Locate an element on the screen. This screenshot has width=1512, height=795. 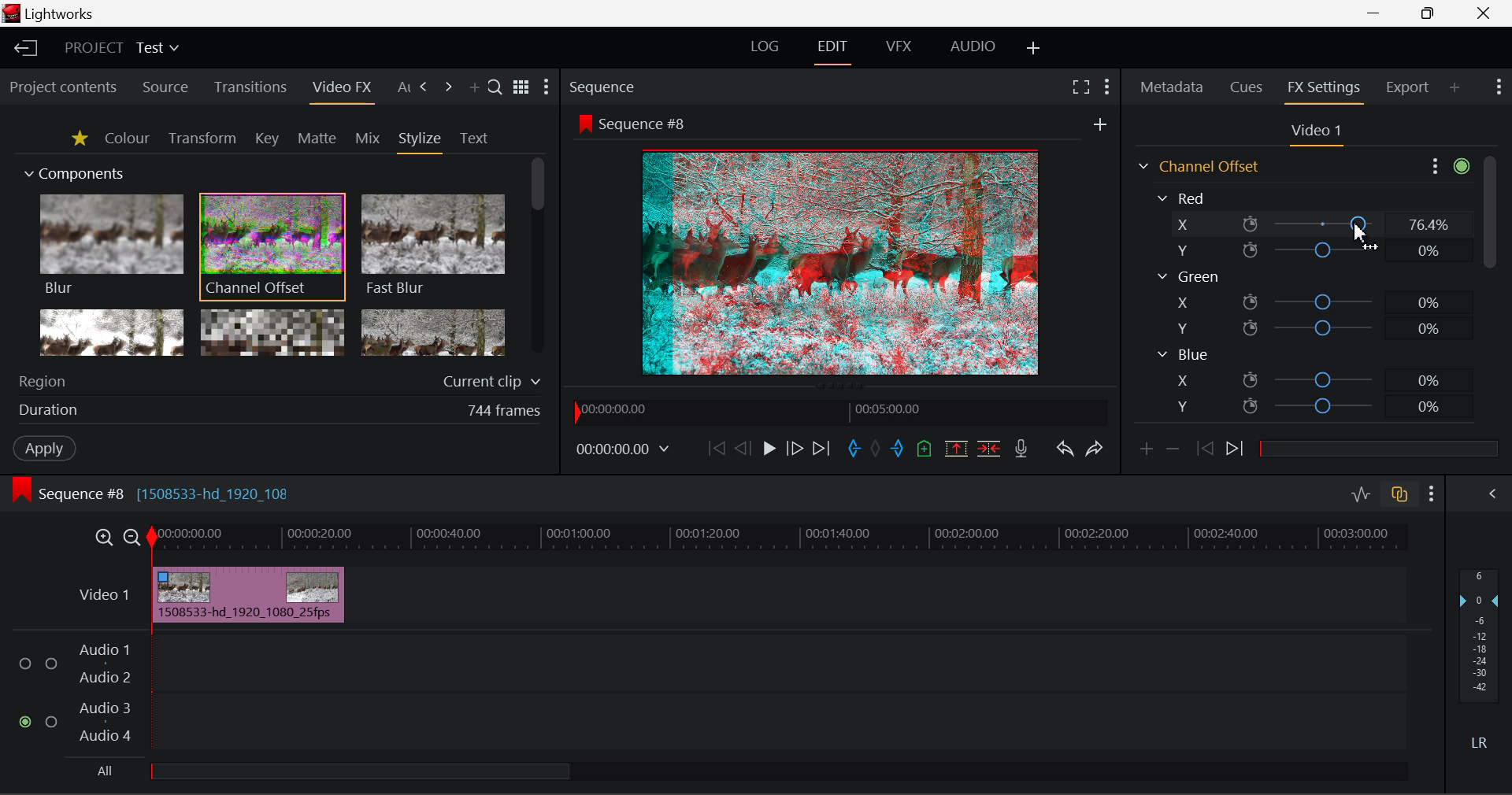
Export is located at coordinates (1408, 87).